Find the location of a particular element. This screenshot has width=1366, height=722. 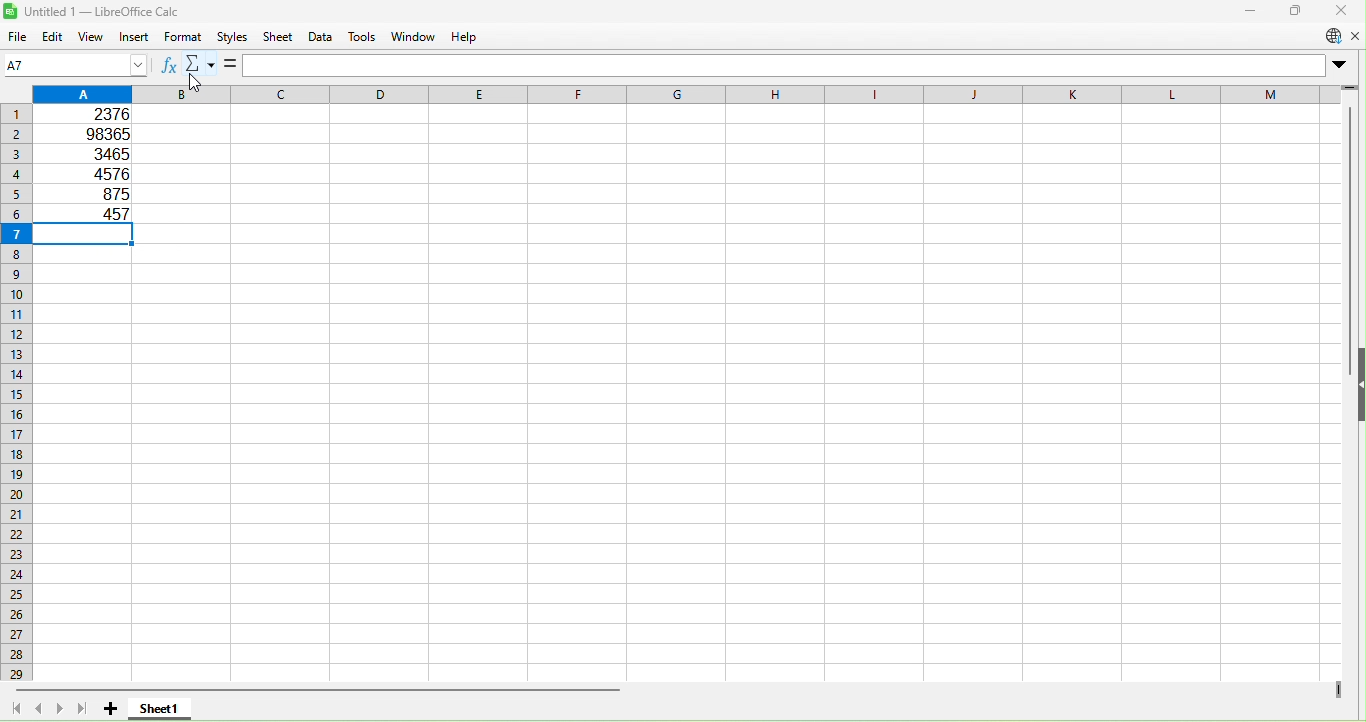

Select function is located at coordinates (203, 62).